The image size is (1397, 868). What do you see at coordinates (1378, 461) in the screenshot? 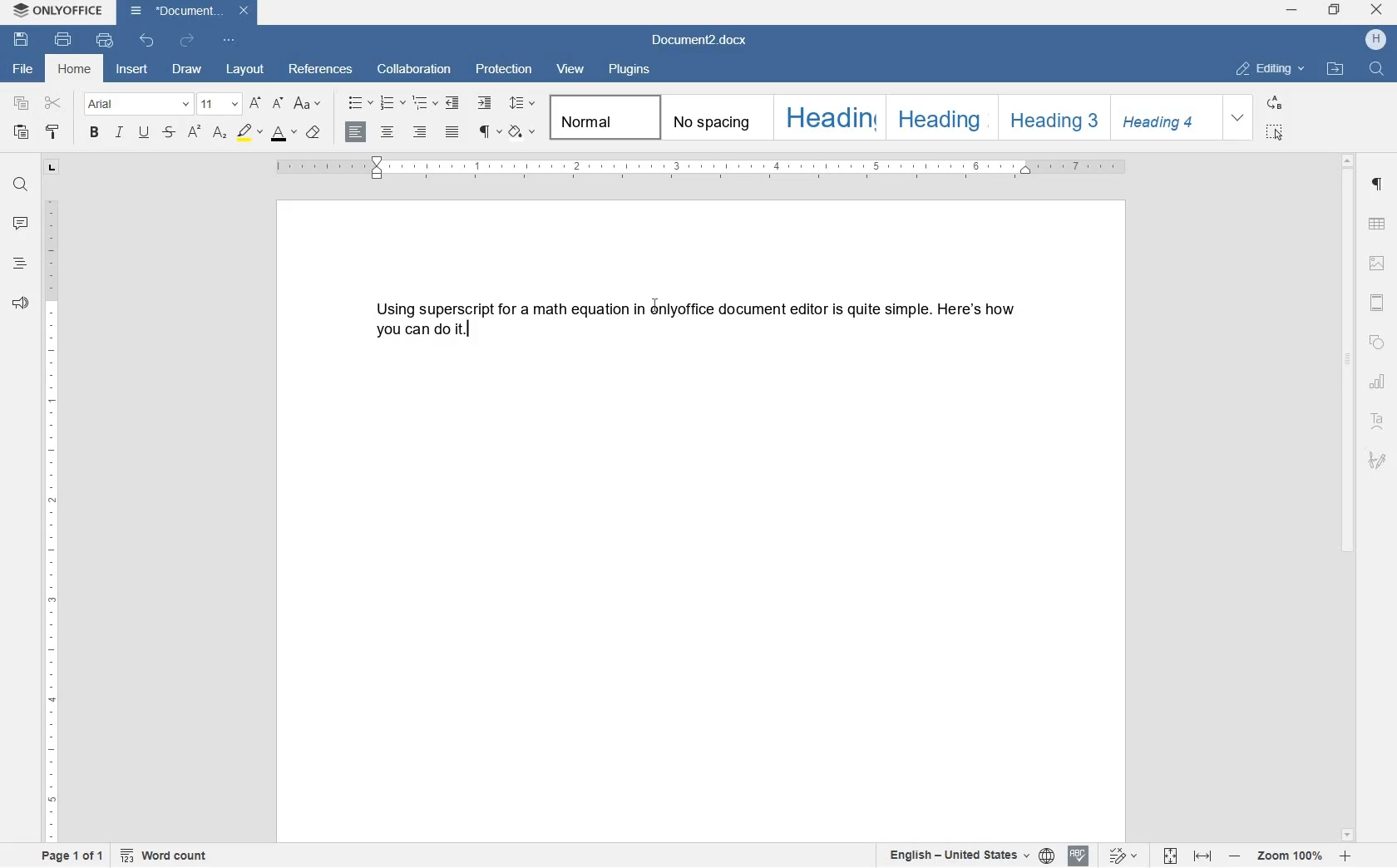
I see `signature` at bounding box center [1378, 461].